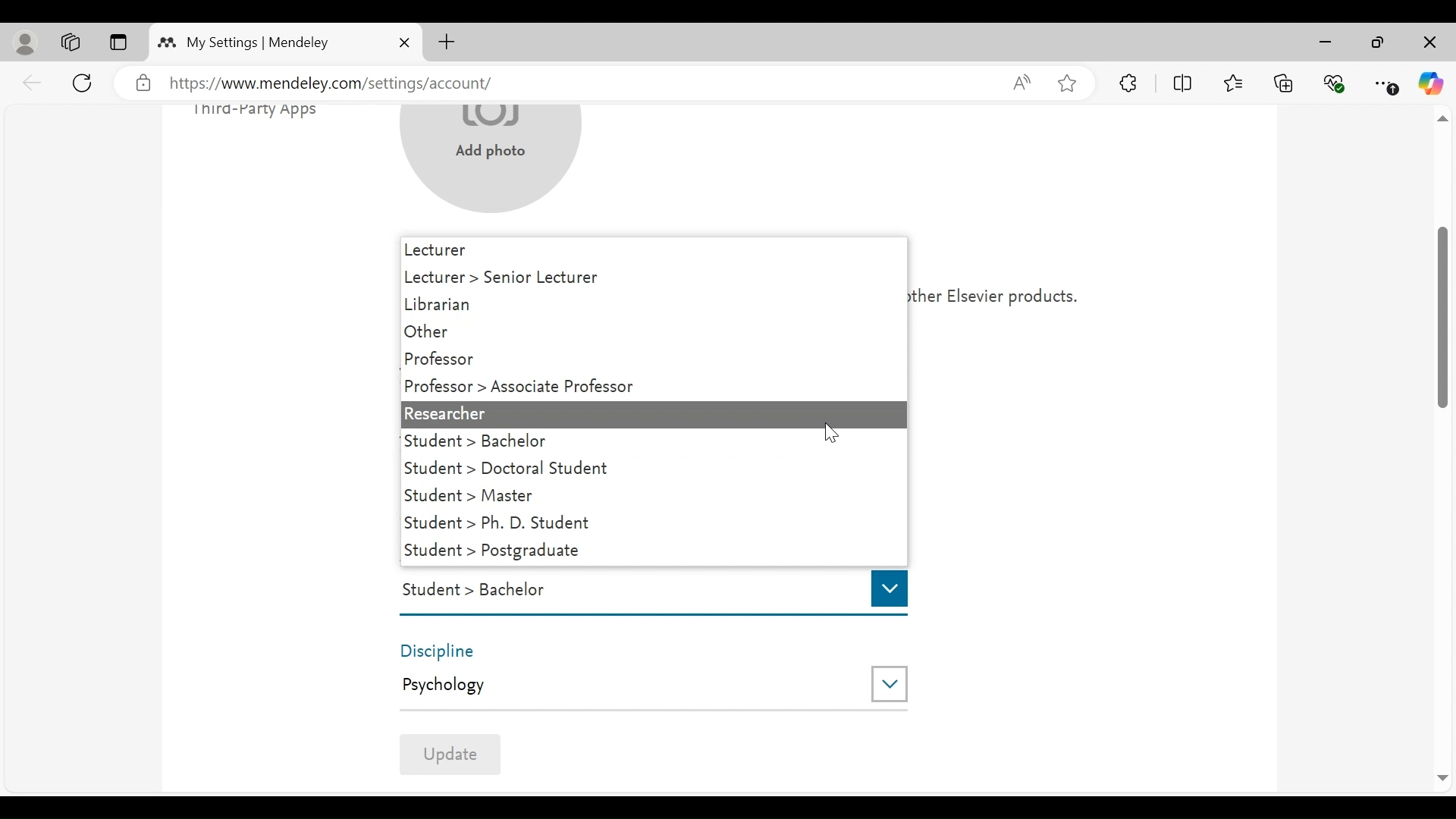 The width and height of the screenshot is (1456, 819). What do you see at coordinates (1431, 83) in the screenshot?
I see `Copilot` at bounding box center [1431, 83].